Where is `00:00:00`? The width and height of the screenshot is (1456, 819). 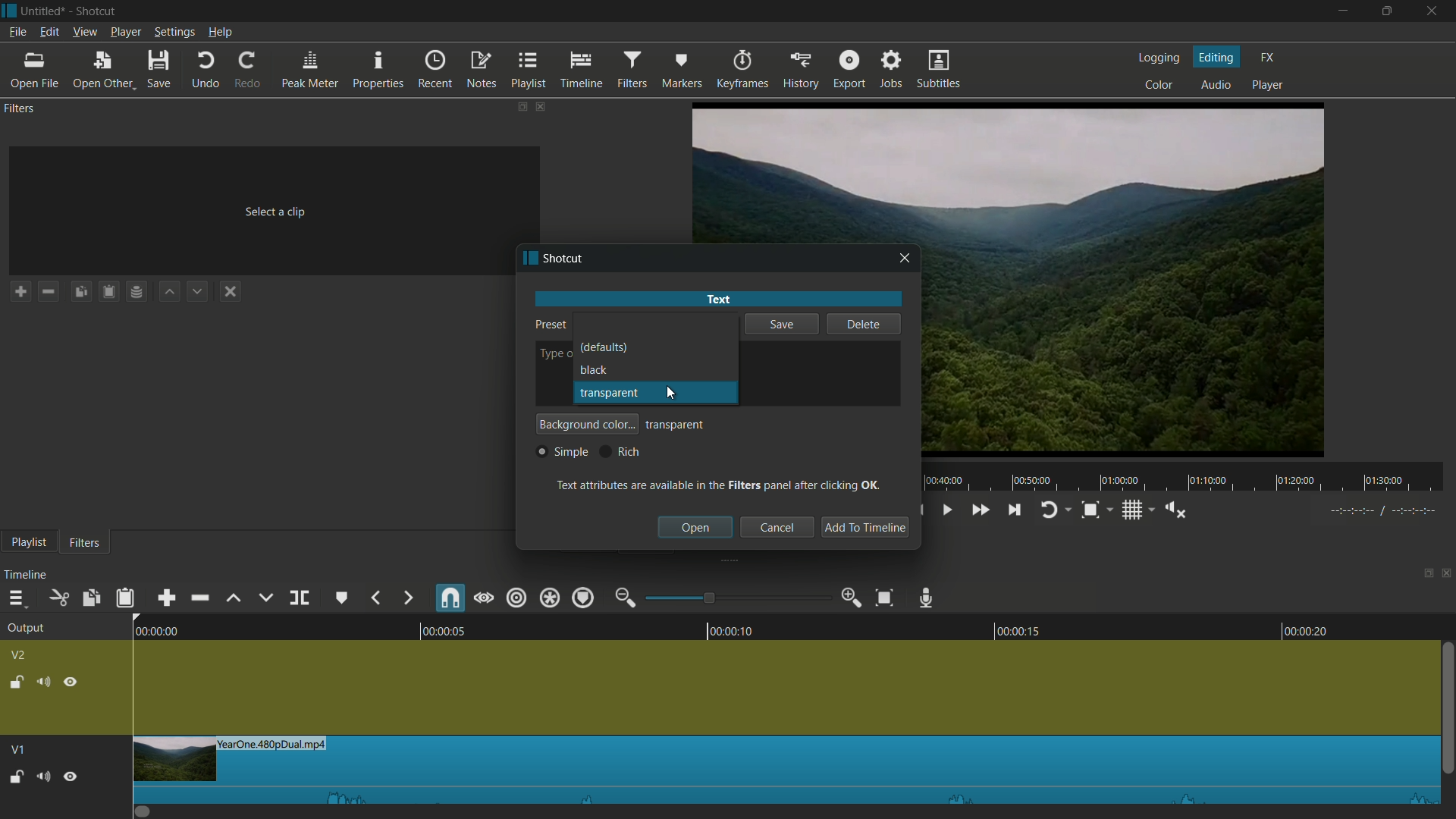 00:00:00 is located at coordinates (148, 629).